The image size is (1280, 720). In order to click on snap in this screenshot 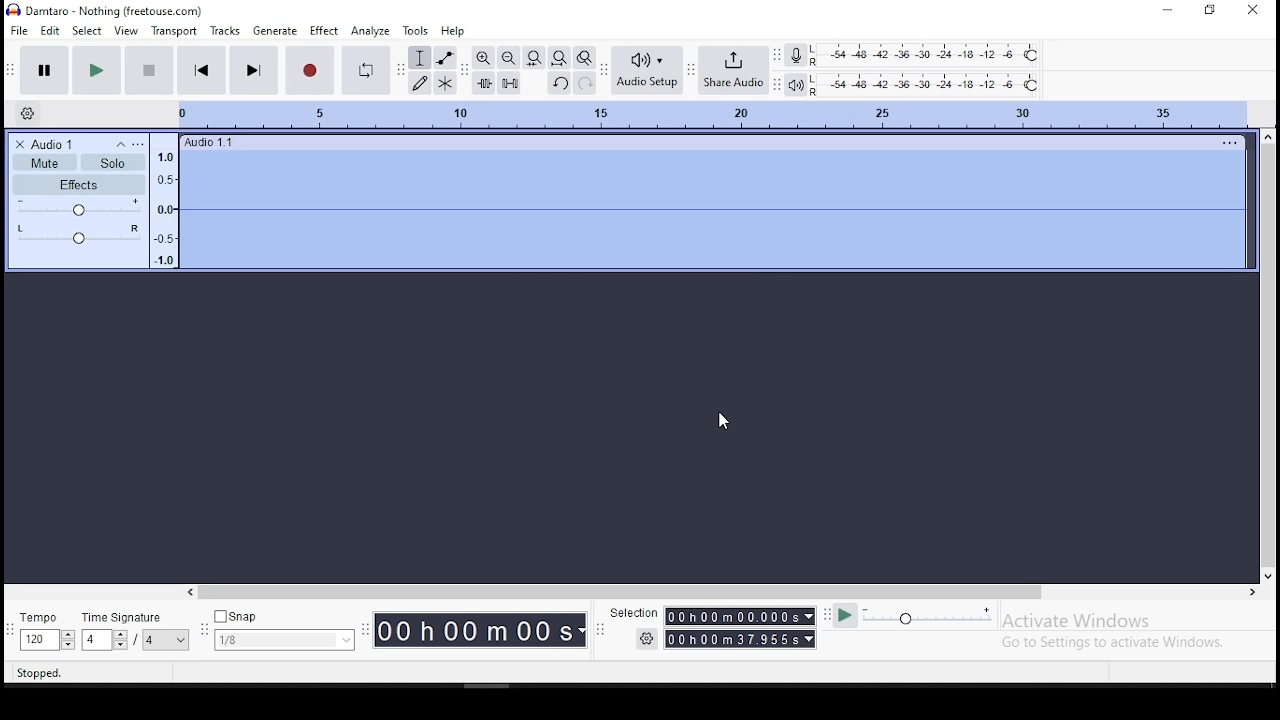, I will do `click(284, 629)`.